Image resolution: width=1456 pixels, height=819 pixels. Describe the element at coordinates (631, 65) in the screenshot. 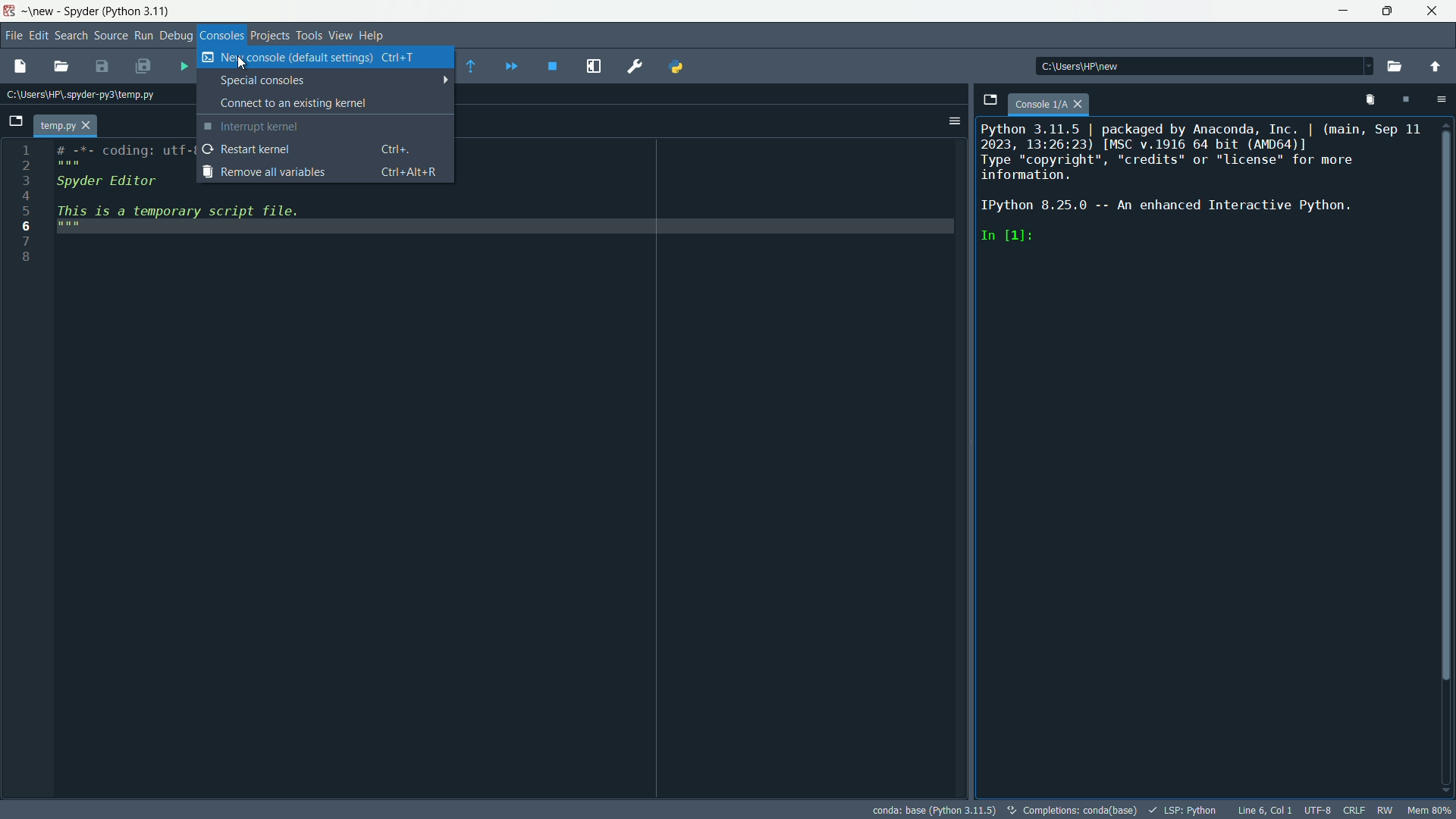

I see `preferences` at that location.